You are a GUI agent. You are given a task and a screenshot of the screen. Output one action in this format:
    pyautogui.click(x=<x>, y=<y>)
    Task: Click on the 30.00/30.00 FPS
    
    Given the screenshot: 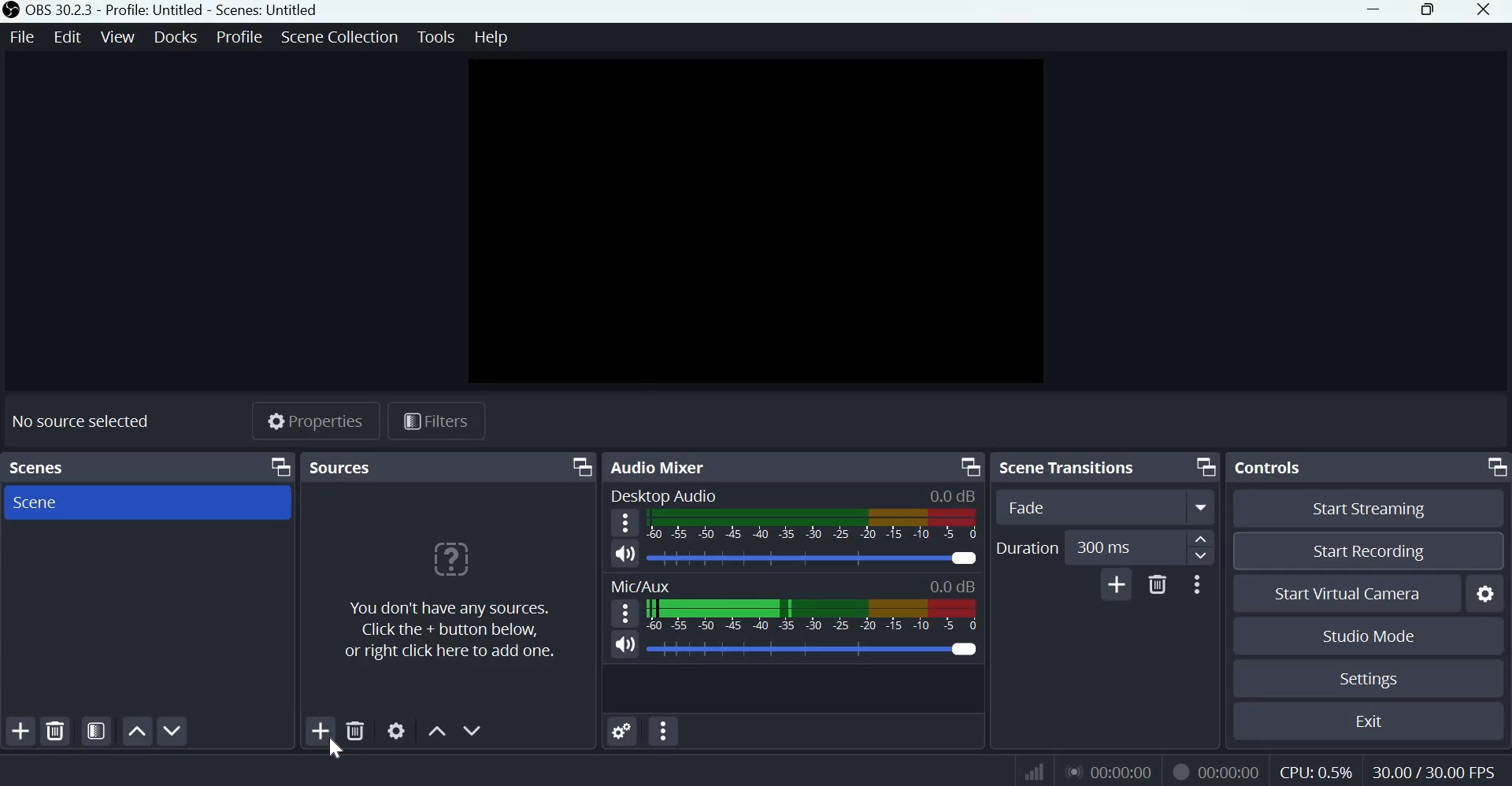 What is the action you would take?
    pyautogui.click(x=1439, y=769)
    